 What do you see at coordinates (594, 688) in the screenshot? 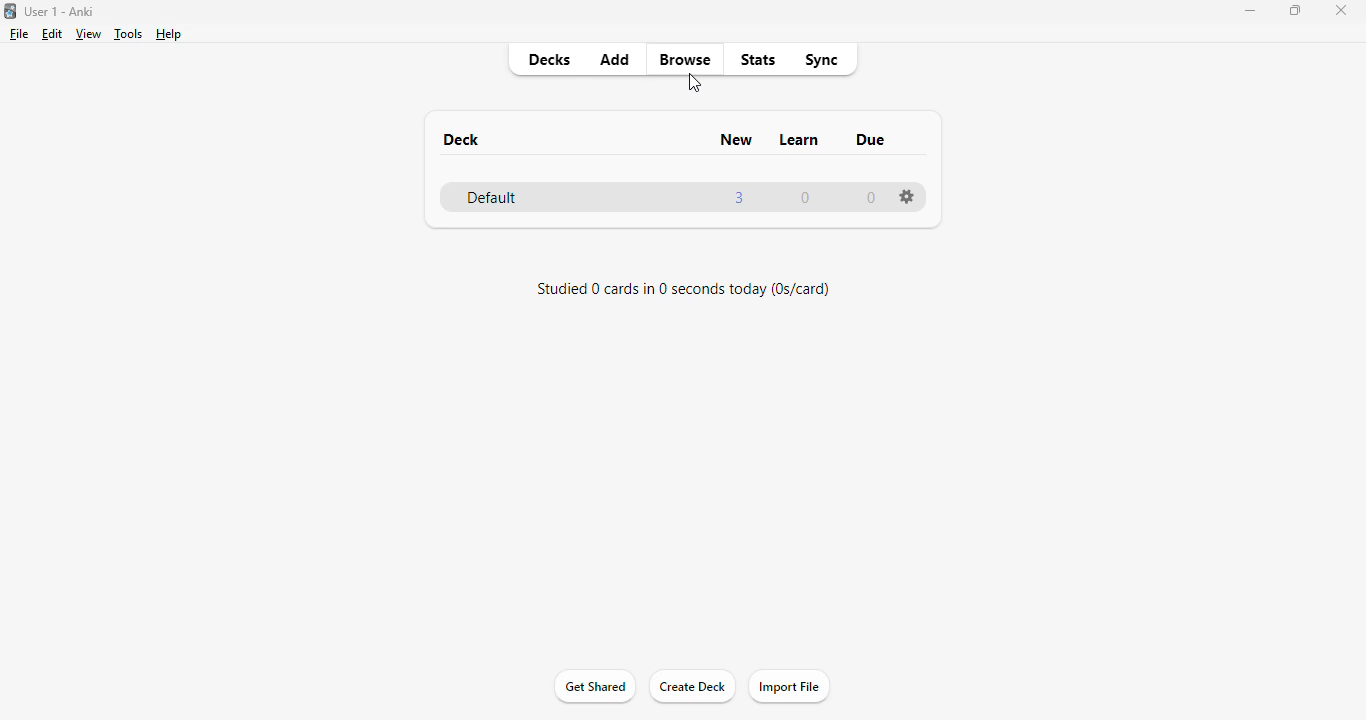
I see `get shared` at bounding box center [594, 688].